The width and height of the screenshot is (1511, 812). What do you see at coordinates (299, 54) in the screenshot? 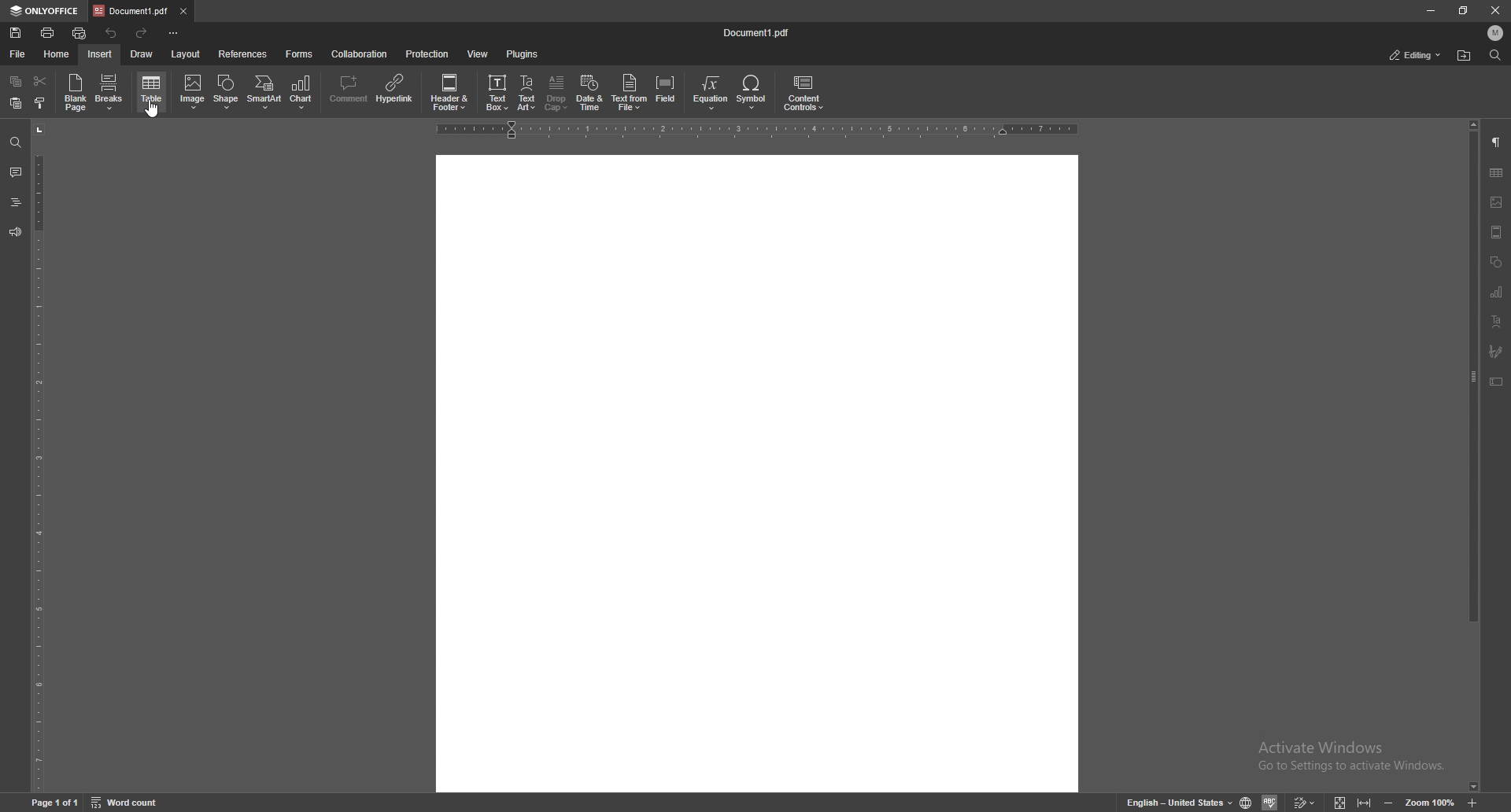
I see `forms` at bounding box center [299, 54].